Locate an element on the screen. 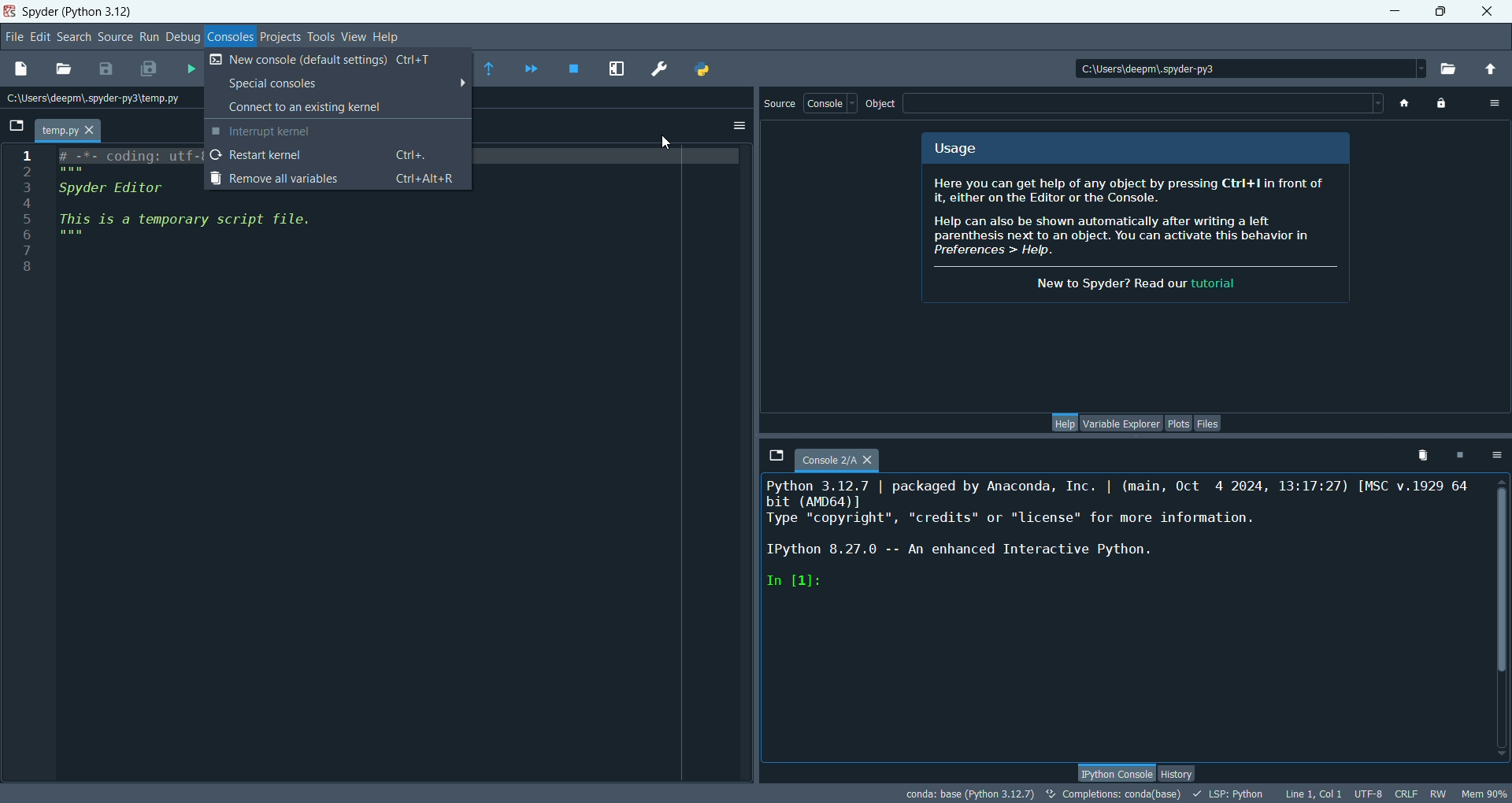  LSP:Python is located at coordinates (1229, 794).